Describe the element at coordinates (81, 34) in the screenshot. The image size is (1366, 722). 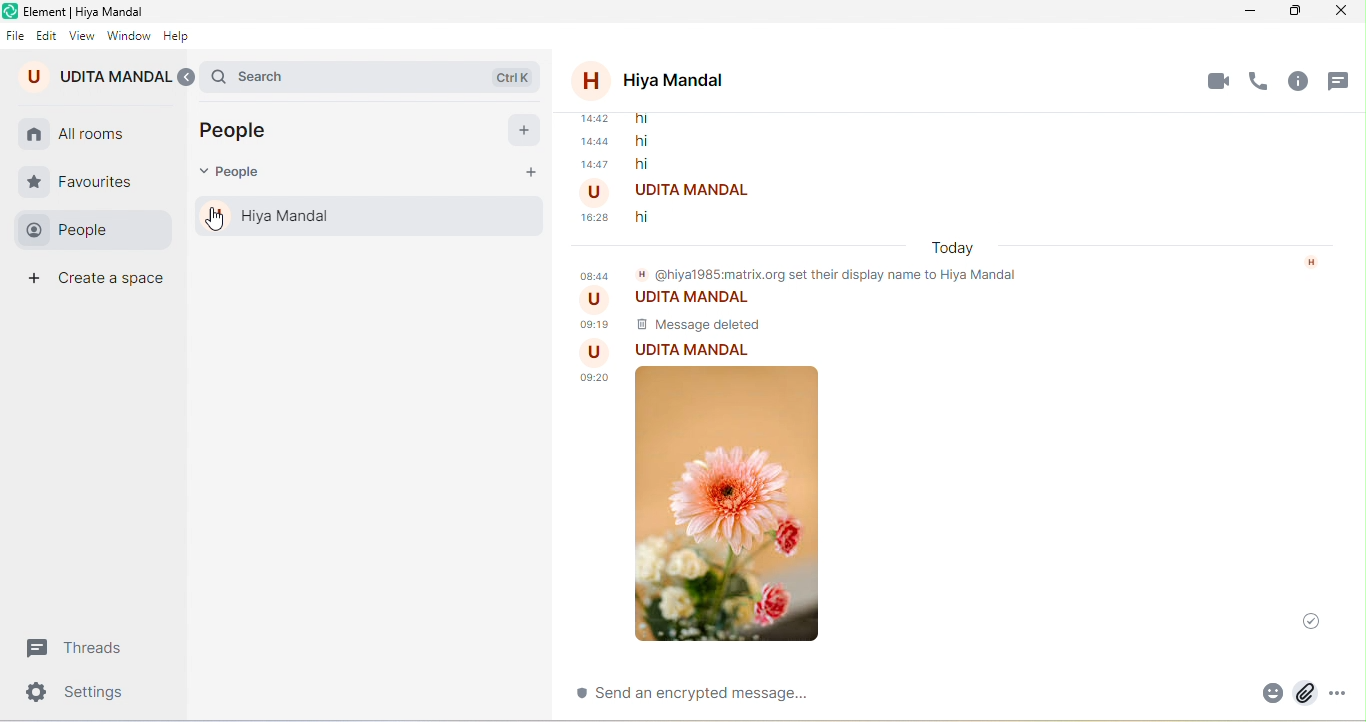
I see `view` at that location.